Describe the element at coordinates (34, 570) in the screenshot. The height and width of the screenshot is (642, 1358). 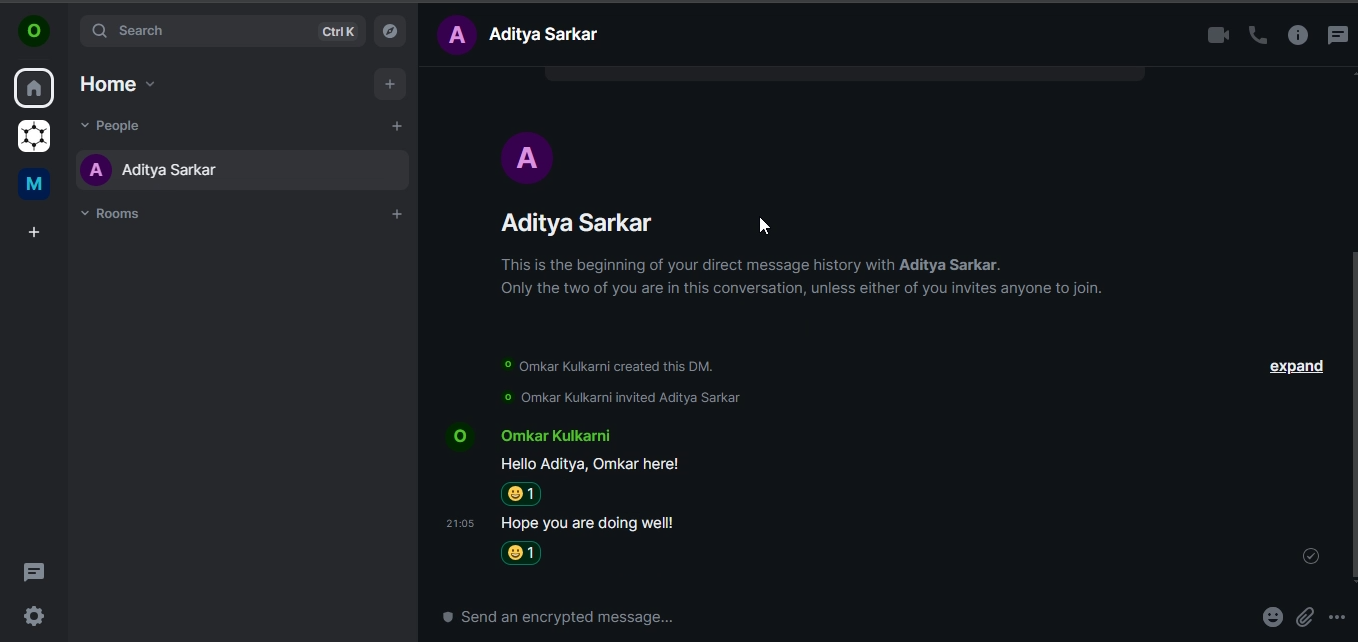
I see `threads` at that location.